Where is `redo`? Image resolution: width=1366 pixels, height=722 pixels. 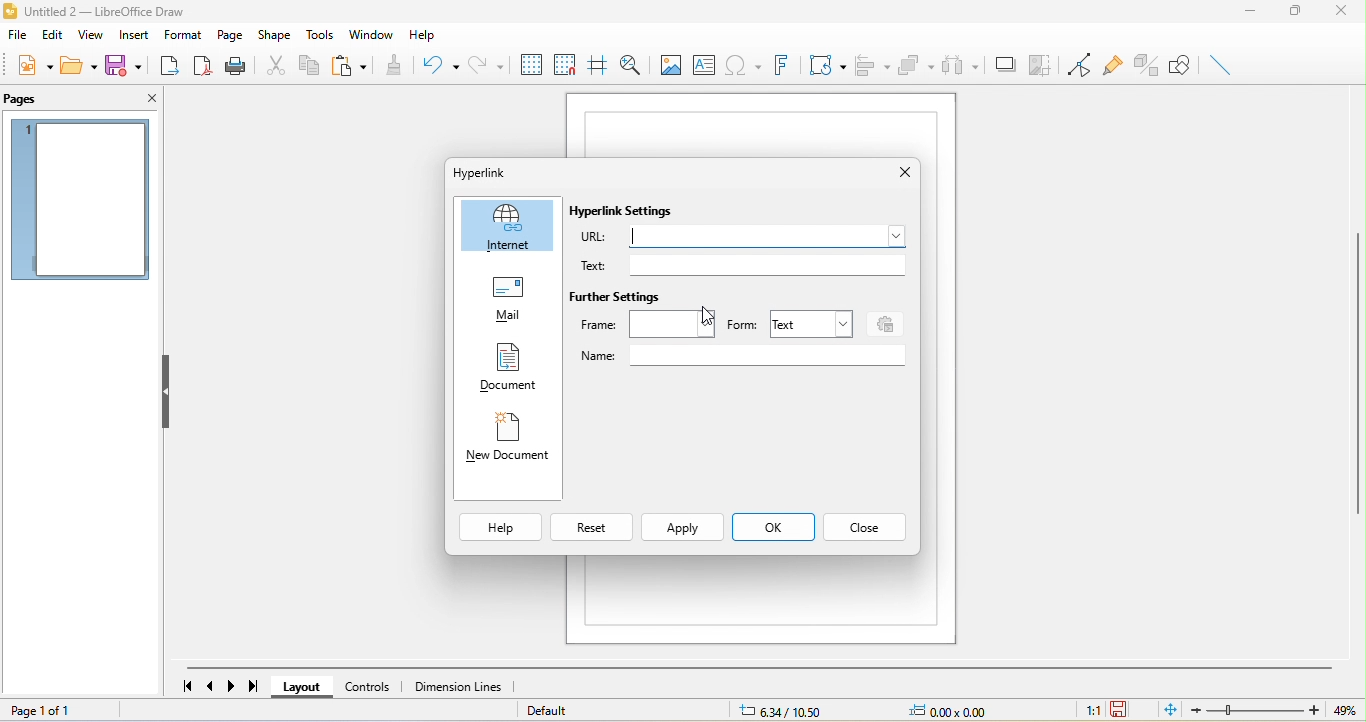
redo is located at coordinates (485, 64).